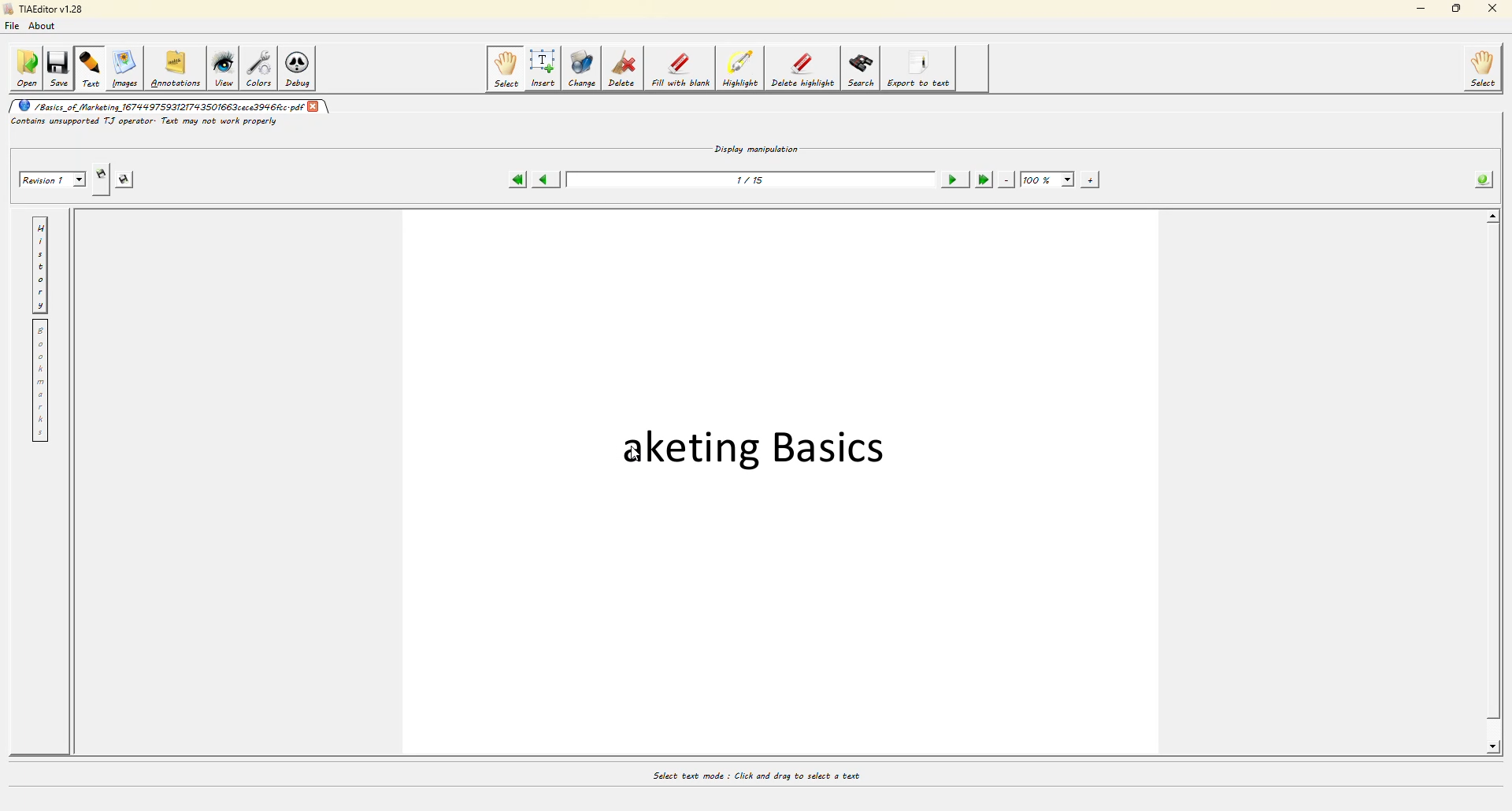 The height and width of the screenshot is (811, 1512). Describe the element at coordinates (1494, 216) in the screenshot. I see `move up` at that location.